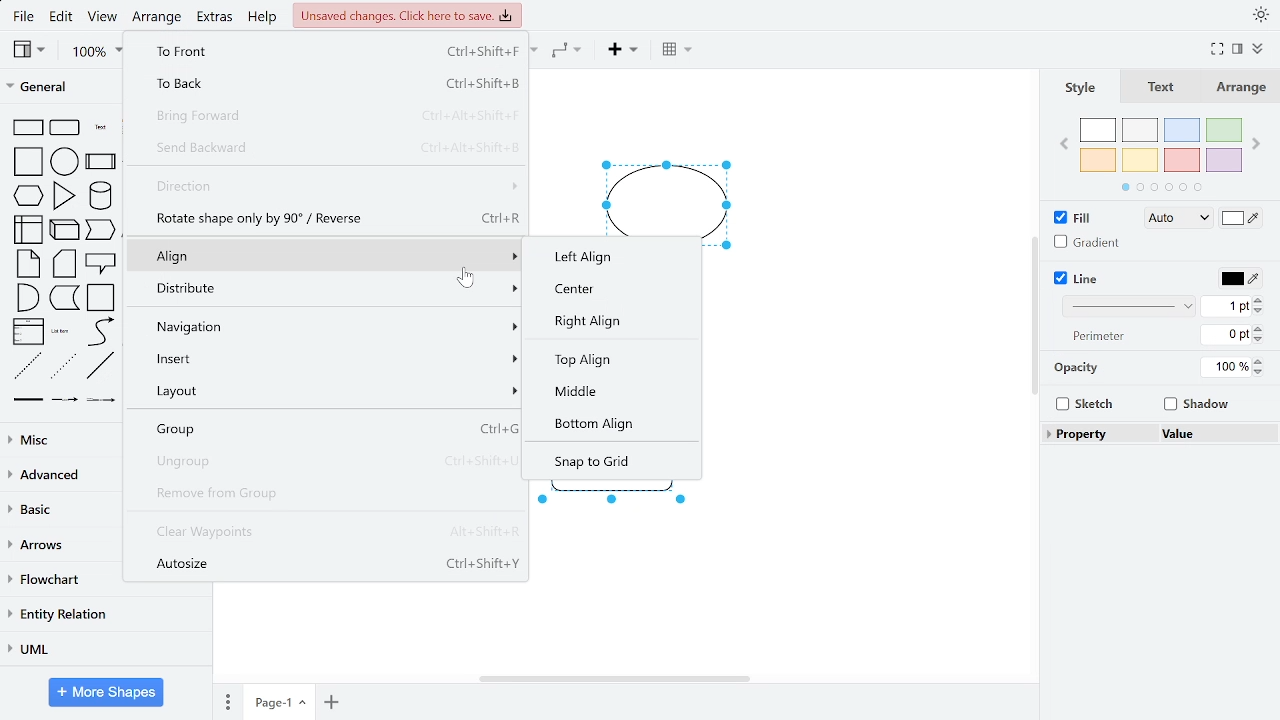 The image size is (1280, 720). I want to click on line style, so click(1126, 307).